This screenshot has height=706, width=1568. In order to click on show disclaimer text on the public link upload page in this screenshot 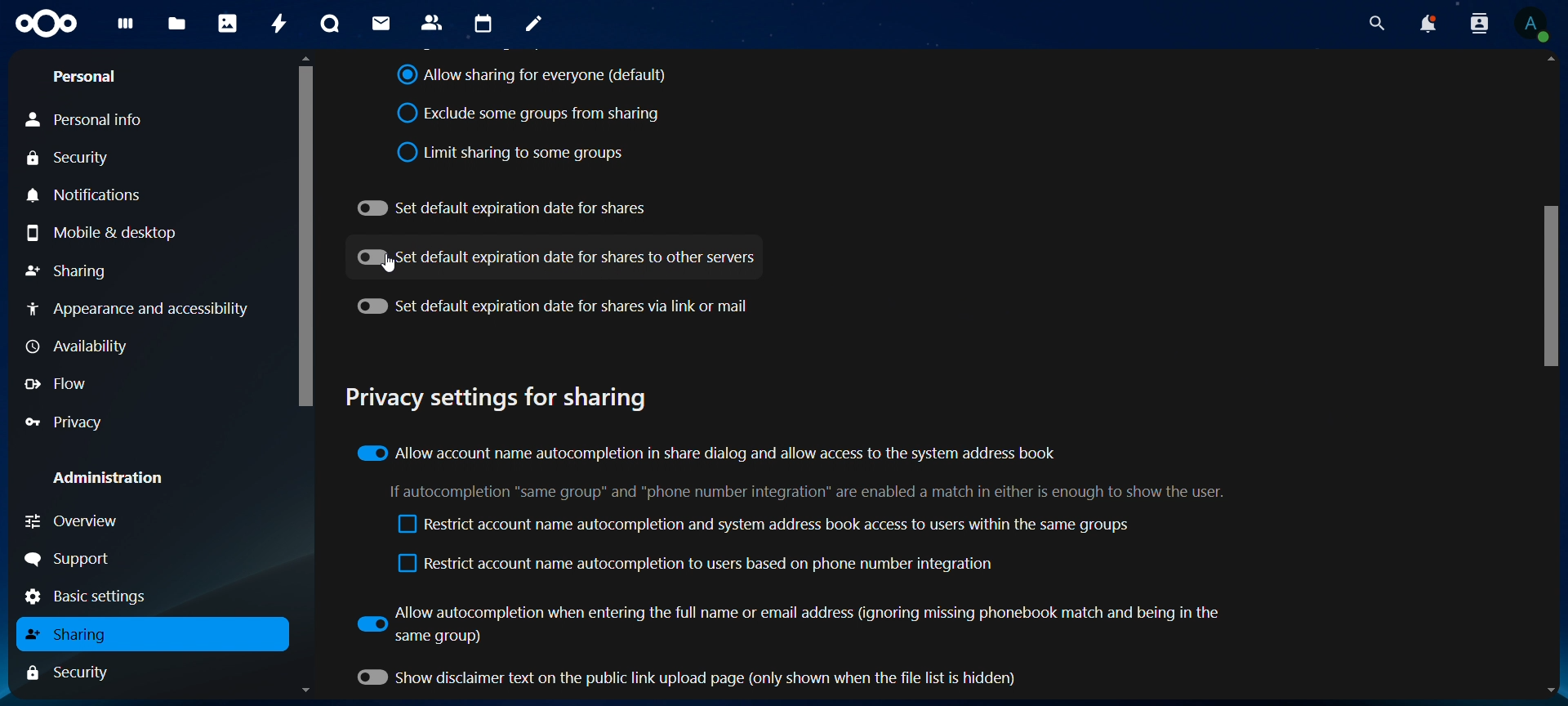, I will do `click(695, 679)`.